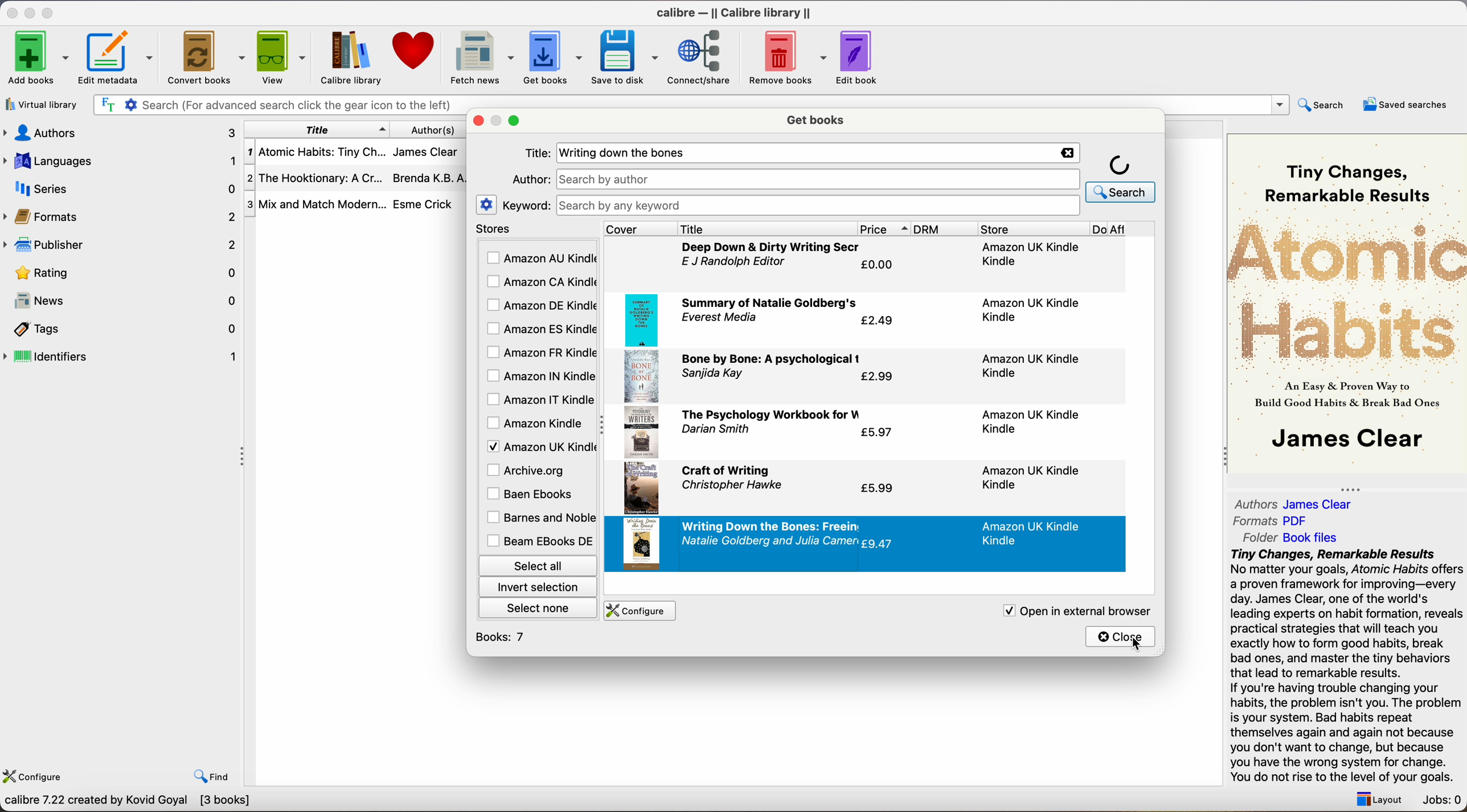 The height and width of the screenshot is (812, 1467). Describe the element at coordinates (529, 179) in the screenshot. I see `author` at that location.